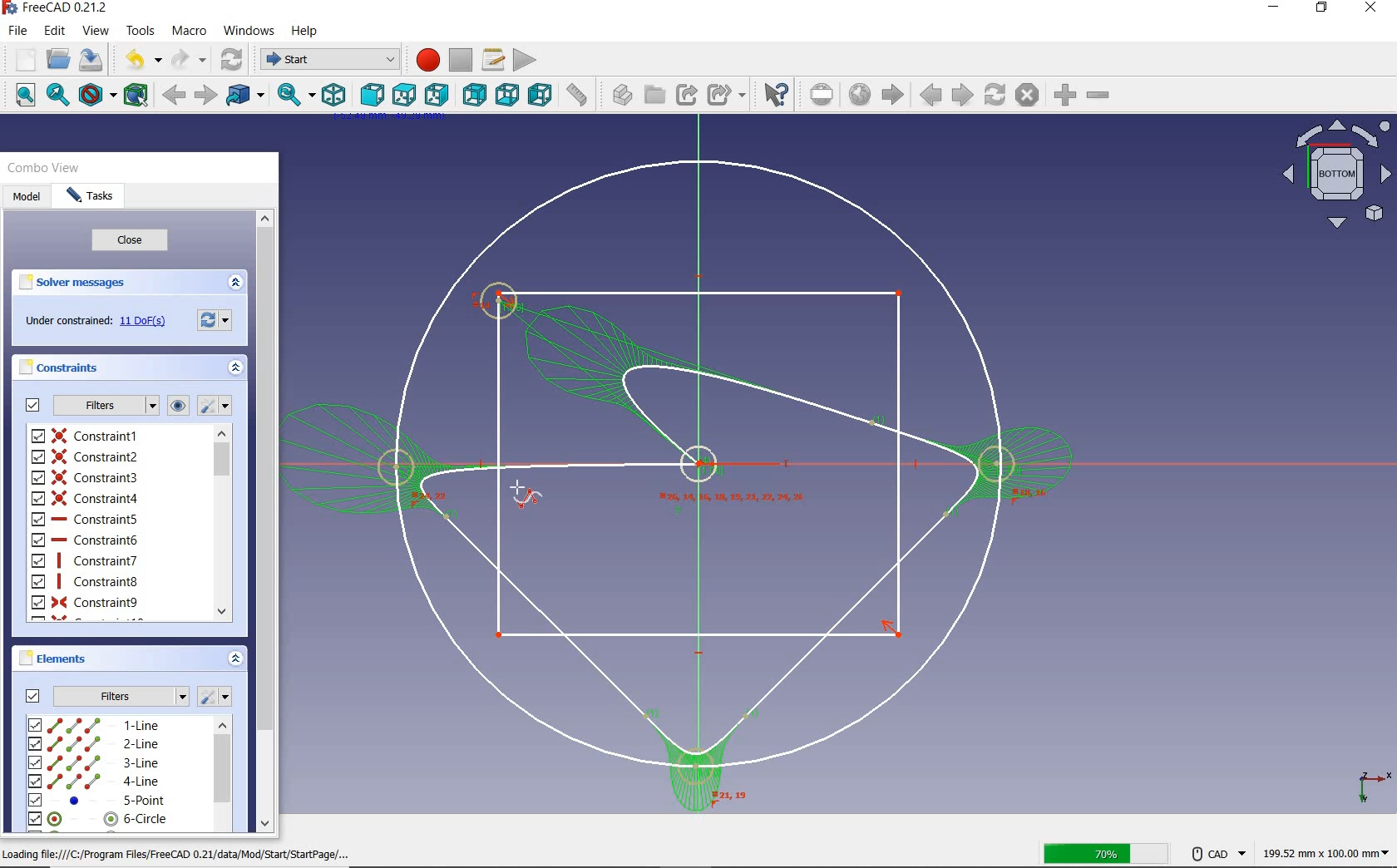  Describe the element at coordinates (1064, 96) in the screenshot. I see `zoom in` at that location.